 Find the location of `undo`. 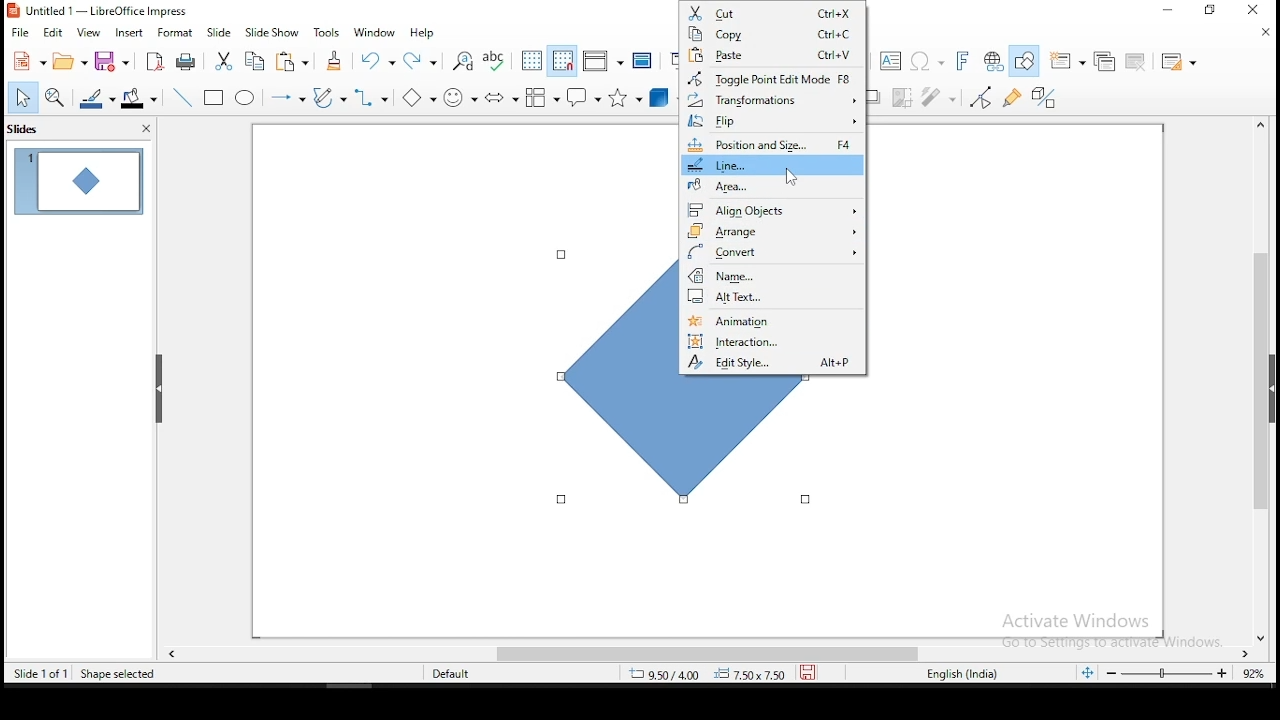

undo is located at coordinates (378, 60).